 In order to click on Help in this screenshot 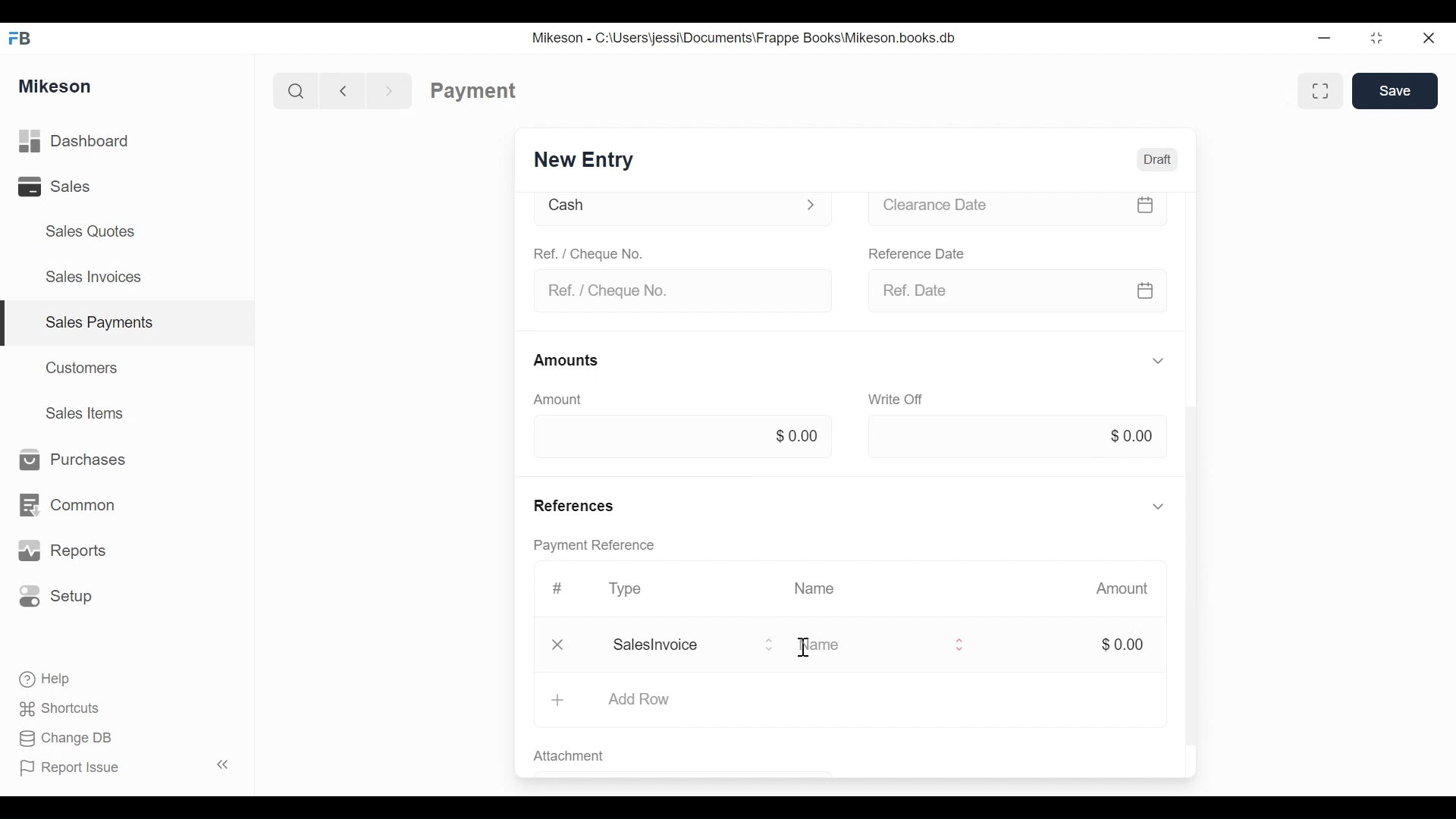, I will do `click(56, 679)`.